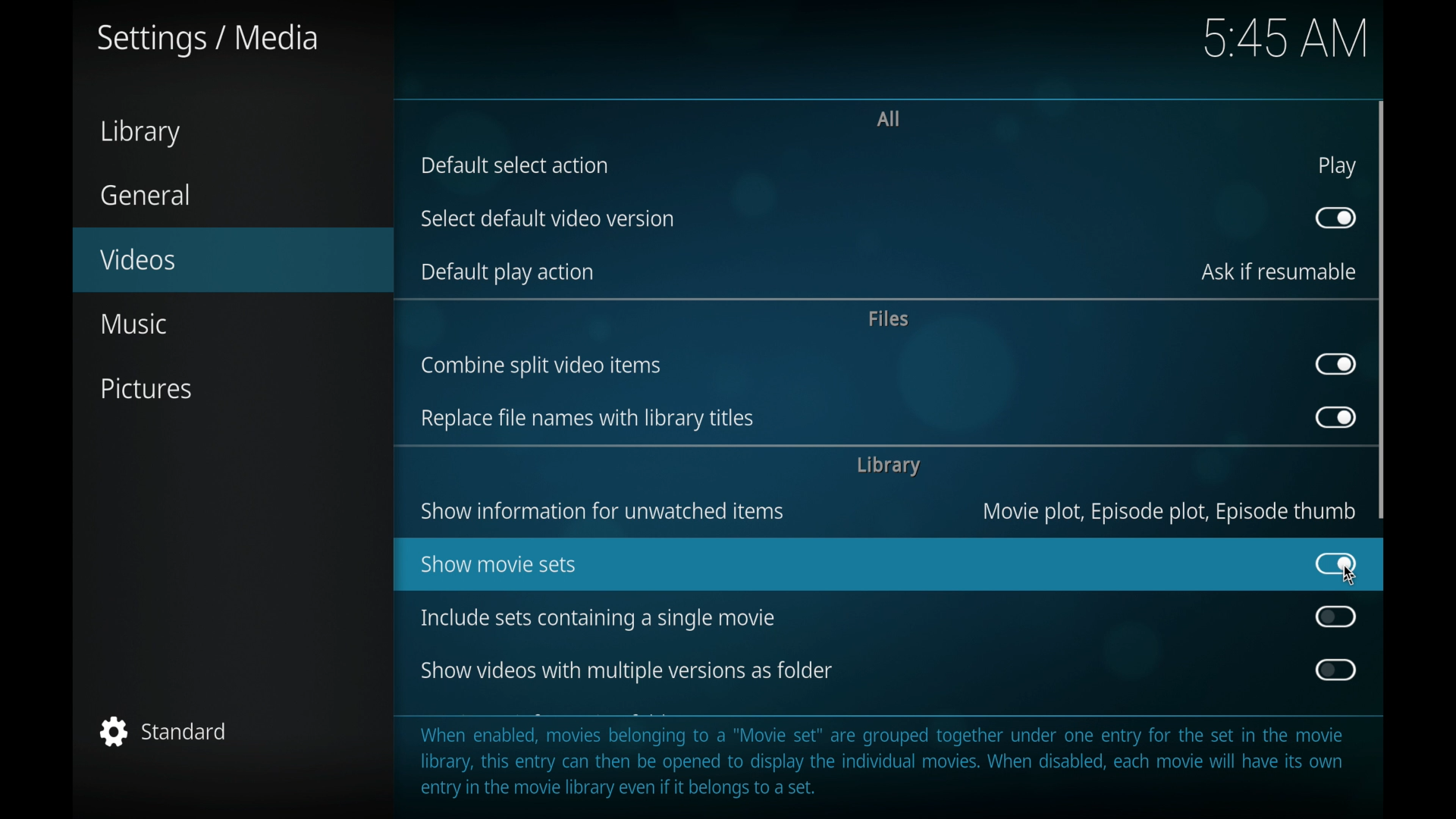 Image resolution: width=1456 pixels, height=819 pixels. Describe the element at coordinates (541, 366) in the screenshot. I see `combine split` at that location.